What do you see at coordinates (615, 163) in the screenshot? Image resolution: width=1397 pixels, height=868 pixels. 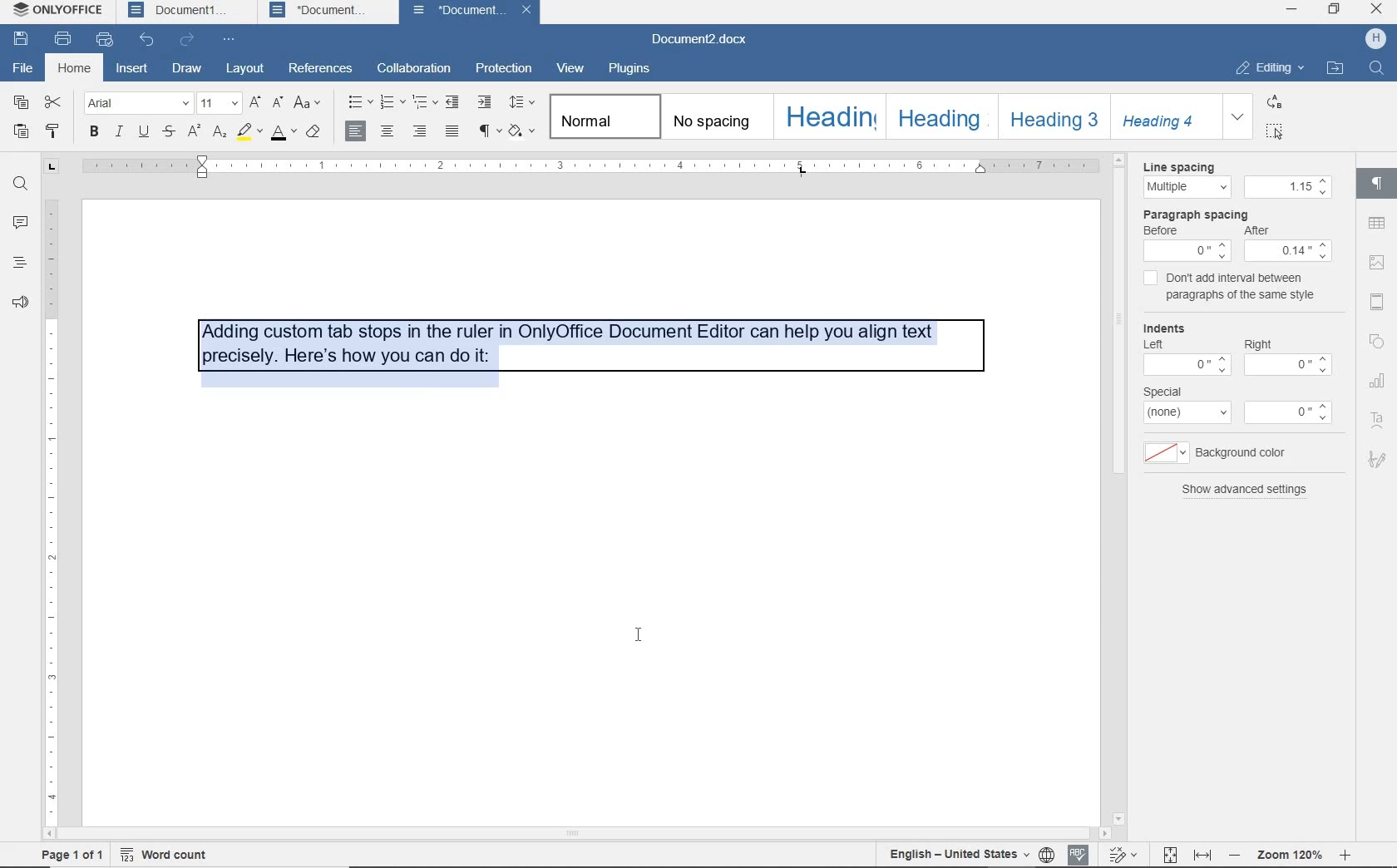 I see `ruler` at bounding box center [615, 163].